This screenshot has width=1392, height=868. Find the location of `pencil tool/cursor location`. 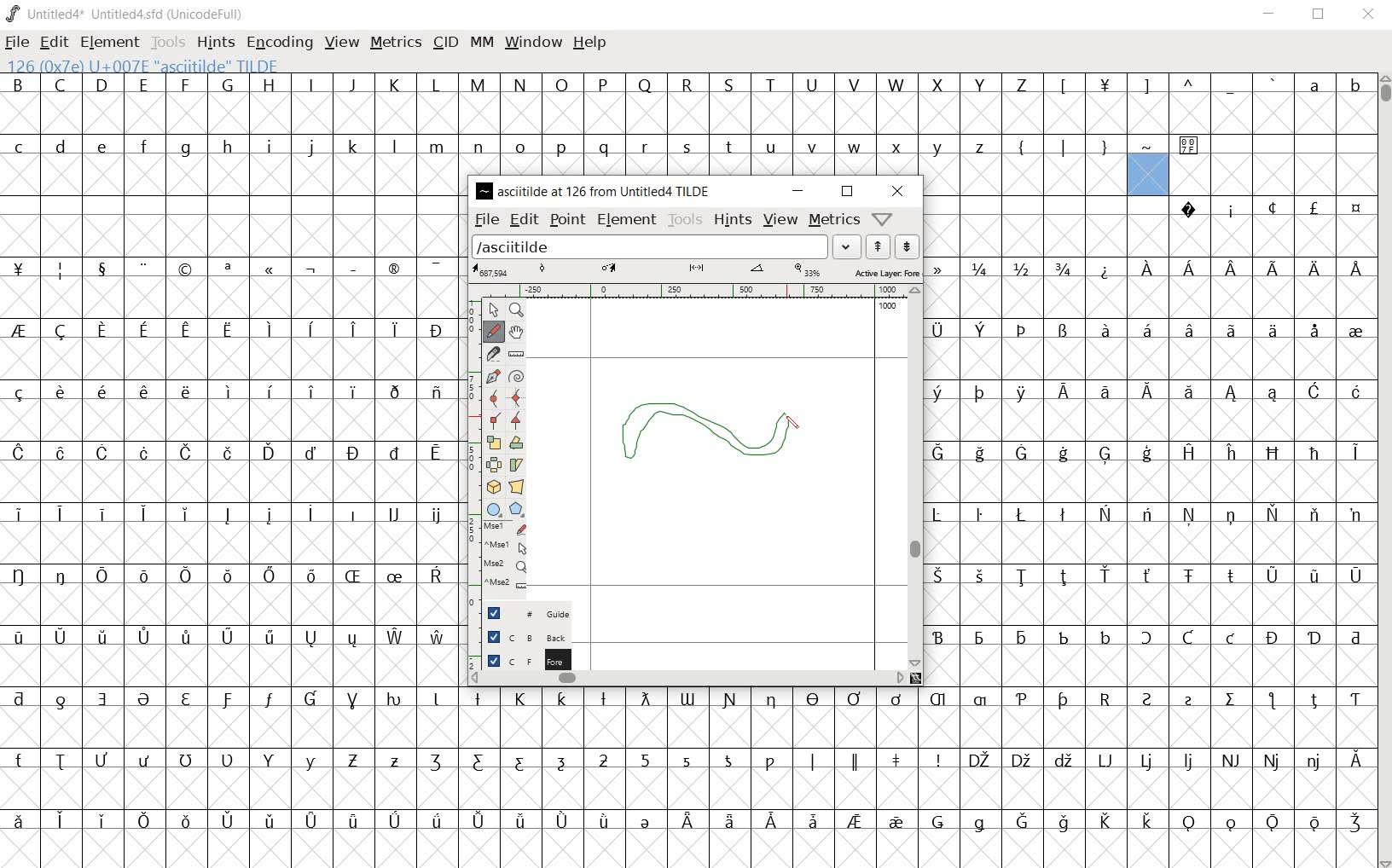

pencil tool/cursor location is located at coordinates (793, 427).